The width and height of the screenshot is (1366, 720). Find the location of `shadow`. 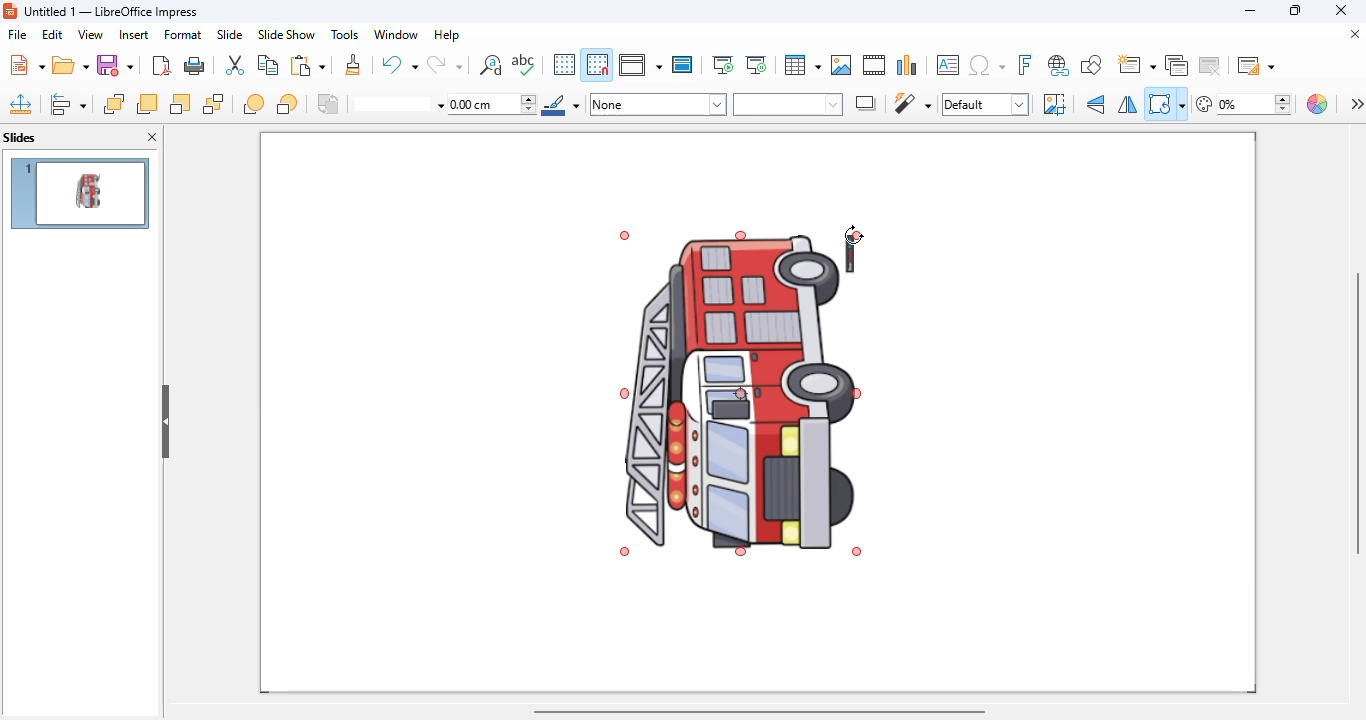

shadow is located at coordinates (867, 103).